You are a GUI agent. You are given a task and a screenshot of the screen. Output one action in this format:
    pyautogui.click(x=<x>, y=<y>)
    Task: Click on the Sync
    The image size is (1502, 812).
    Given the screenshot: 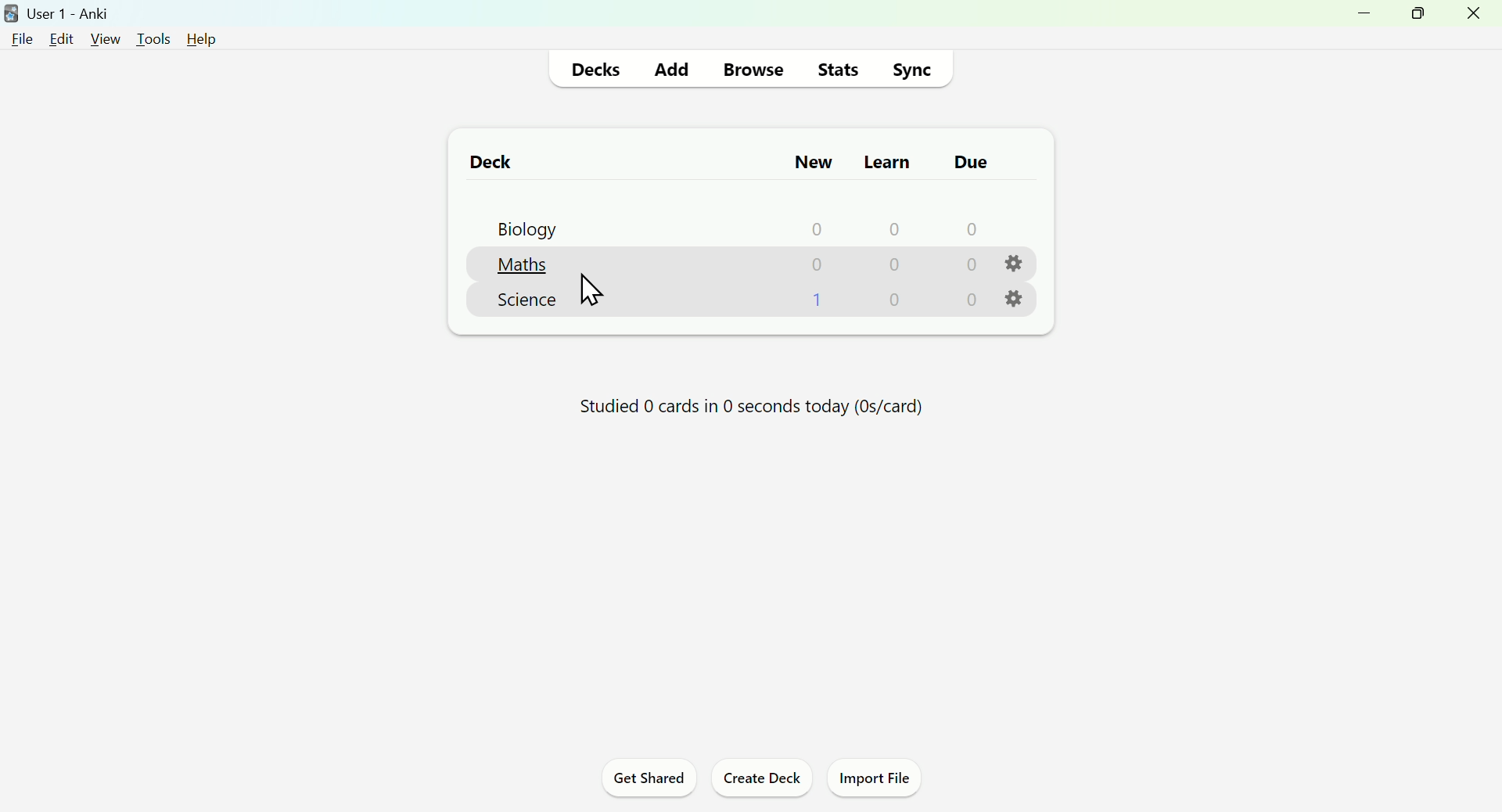 What is the action you would take?
    pyautogui.click(x=911, y=70)
    